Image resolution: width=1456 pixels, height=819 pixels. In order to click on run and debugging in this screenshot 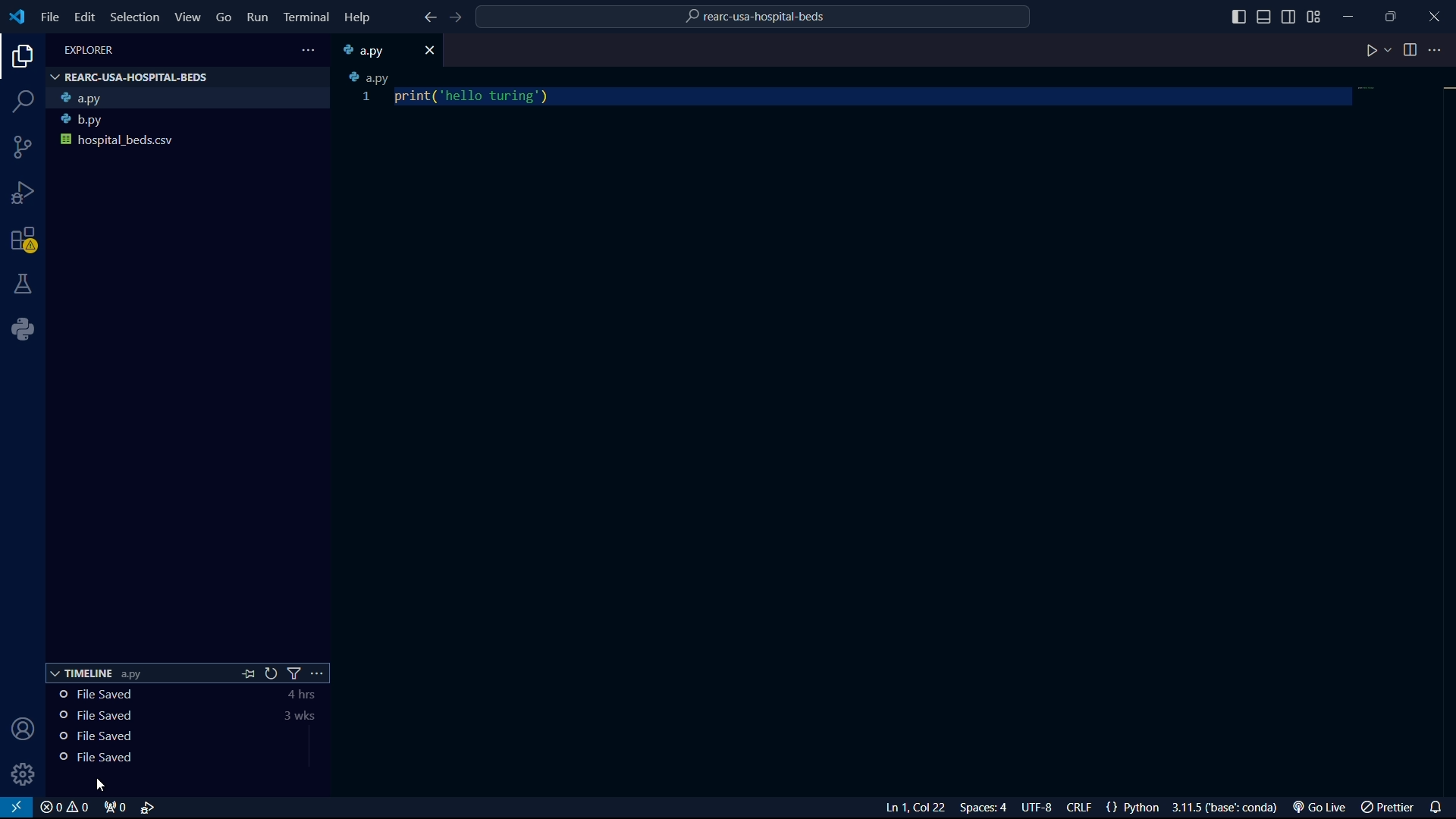, I will do `click(25, 195)`.